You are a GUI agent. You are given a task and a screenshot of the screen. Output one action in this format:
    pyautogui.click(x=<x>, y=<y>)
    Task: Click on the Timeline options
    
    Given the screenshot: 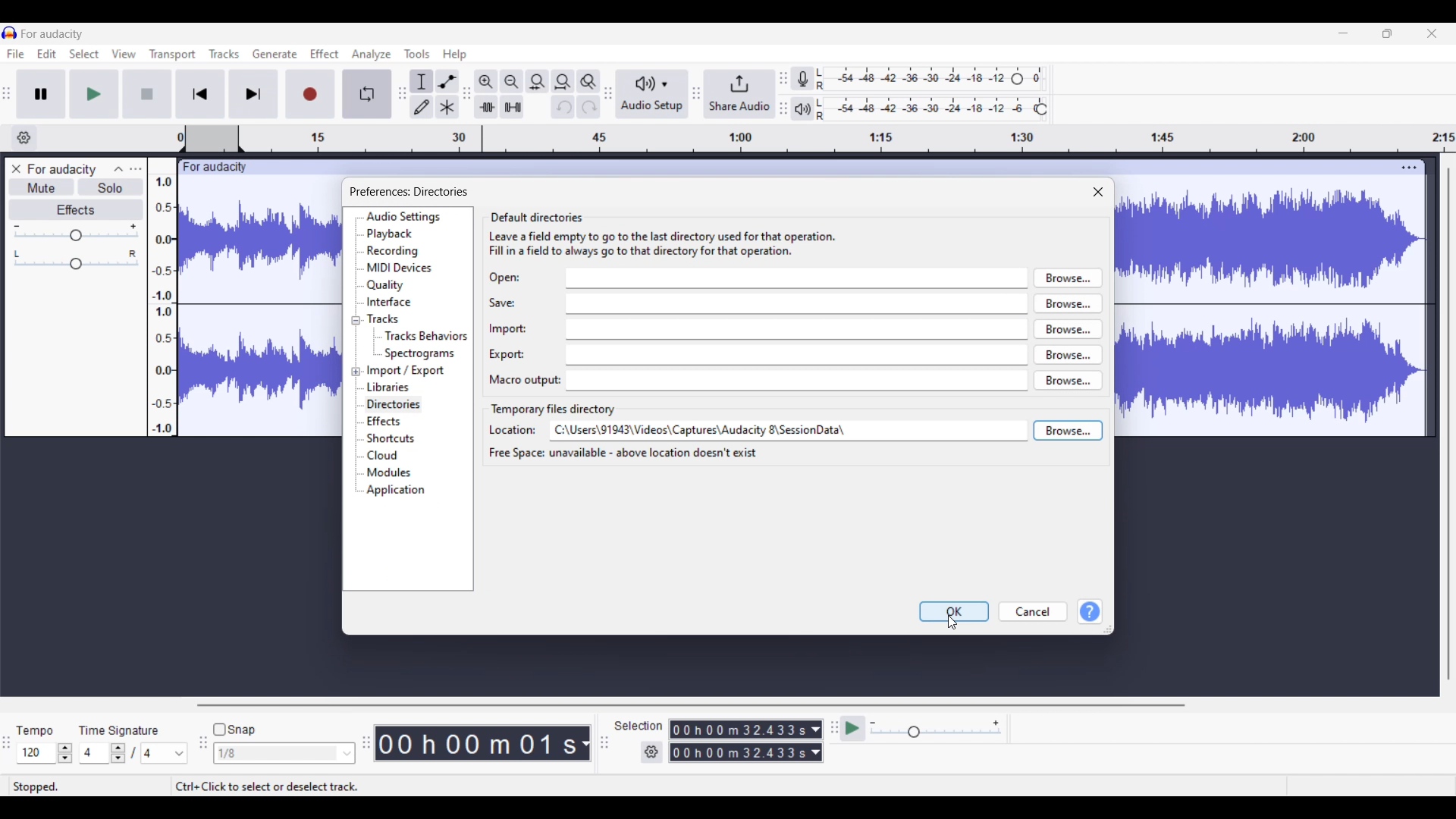 What is the action you would take?
    pyautogui.click(x=24, y=138)
    